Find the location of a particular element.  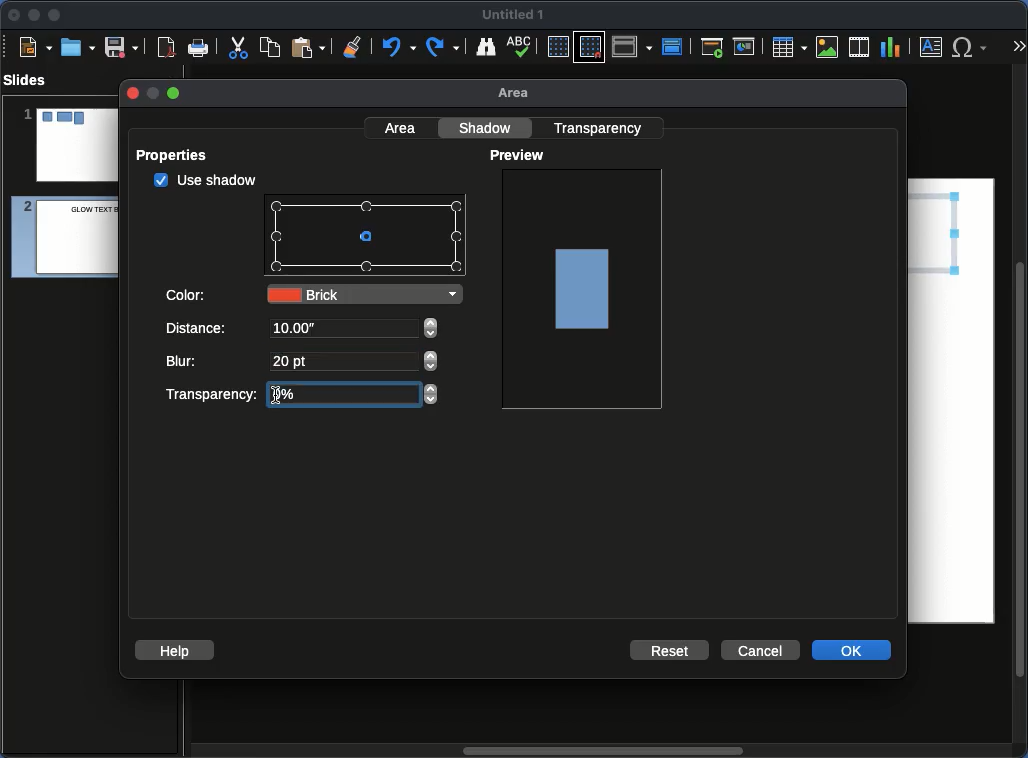

adjust is located at coordinates (431, 329).